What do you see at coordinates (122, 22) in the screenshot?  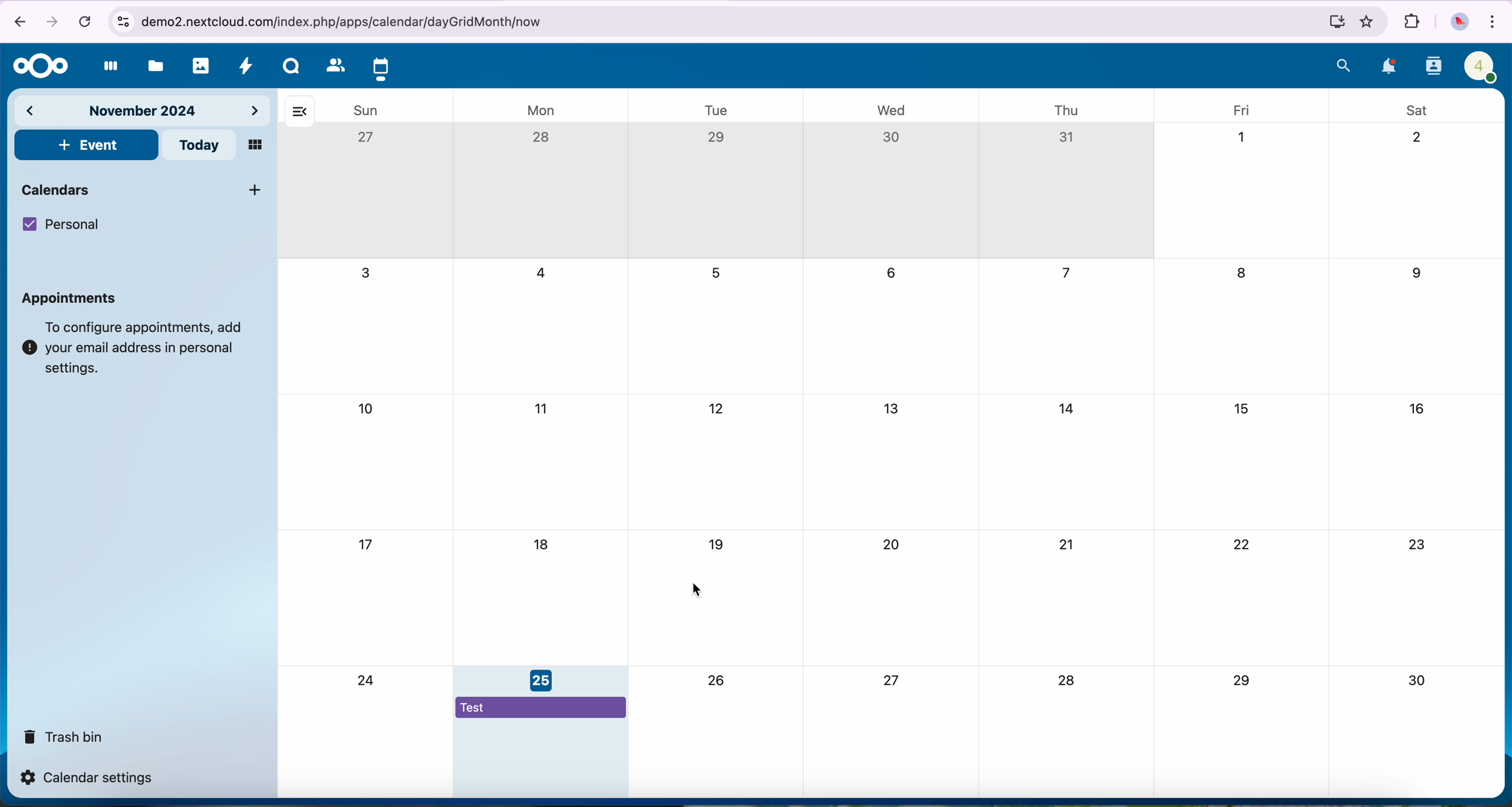 I see `controls` at bounding box center [122, 22].